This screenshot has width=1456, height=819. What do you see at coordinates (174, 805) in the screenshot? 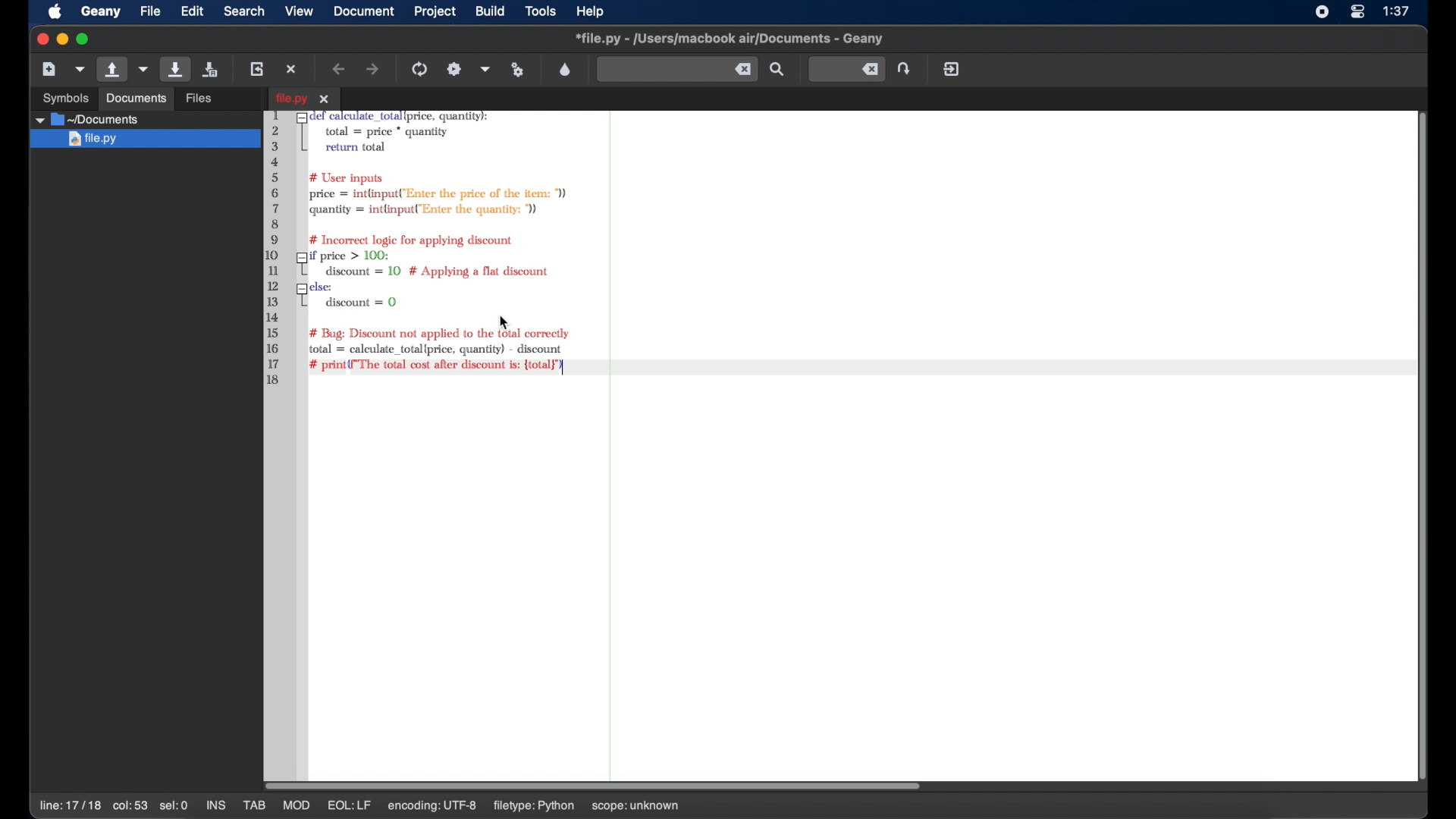
I see `sel:0` at bounding box center [174, 805].